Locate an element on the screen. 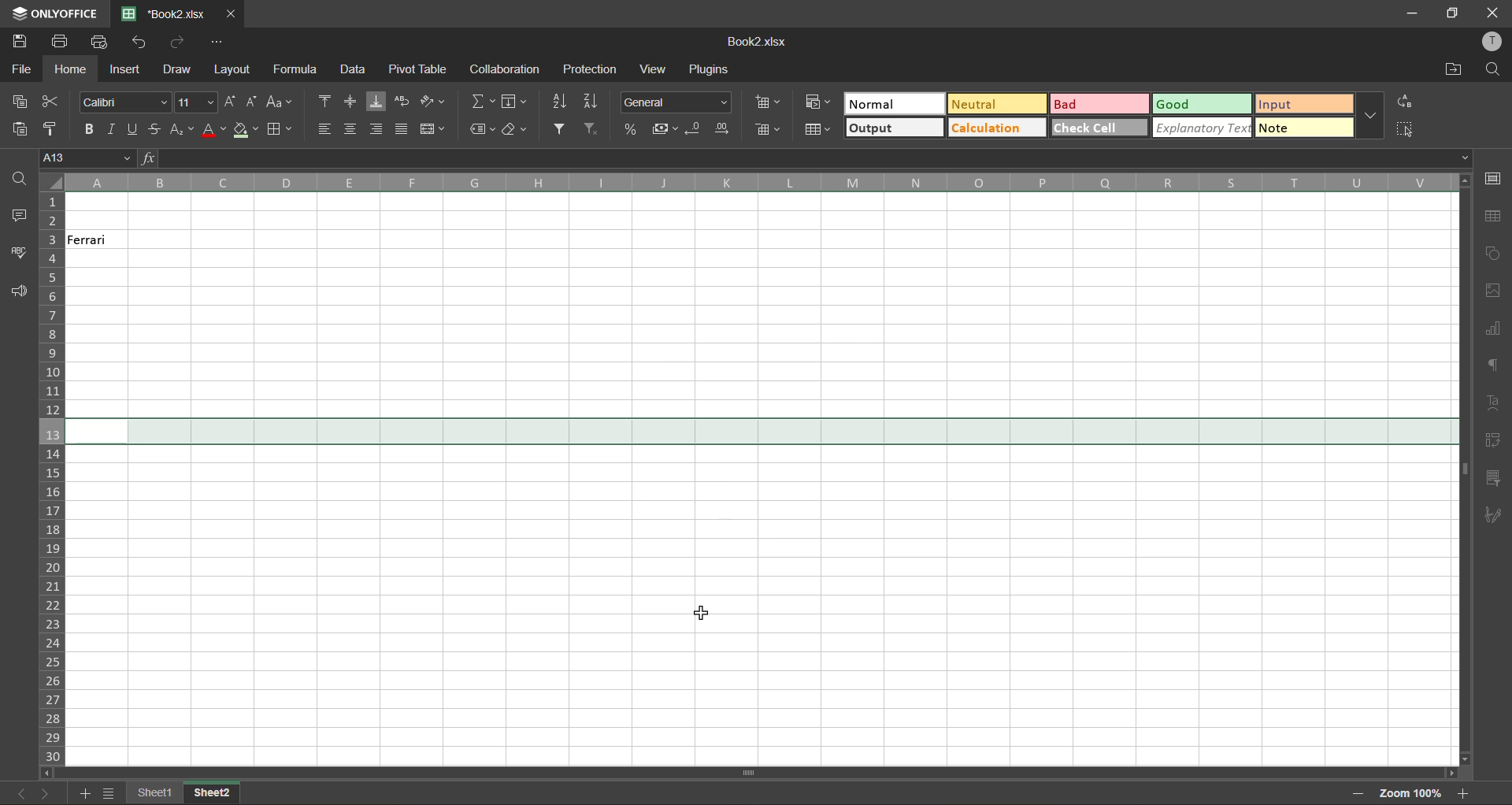 The image size is (1512, 805). data is located at coordinates (350, 70).